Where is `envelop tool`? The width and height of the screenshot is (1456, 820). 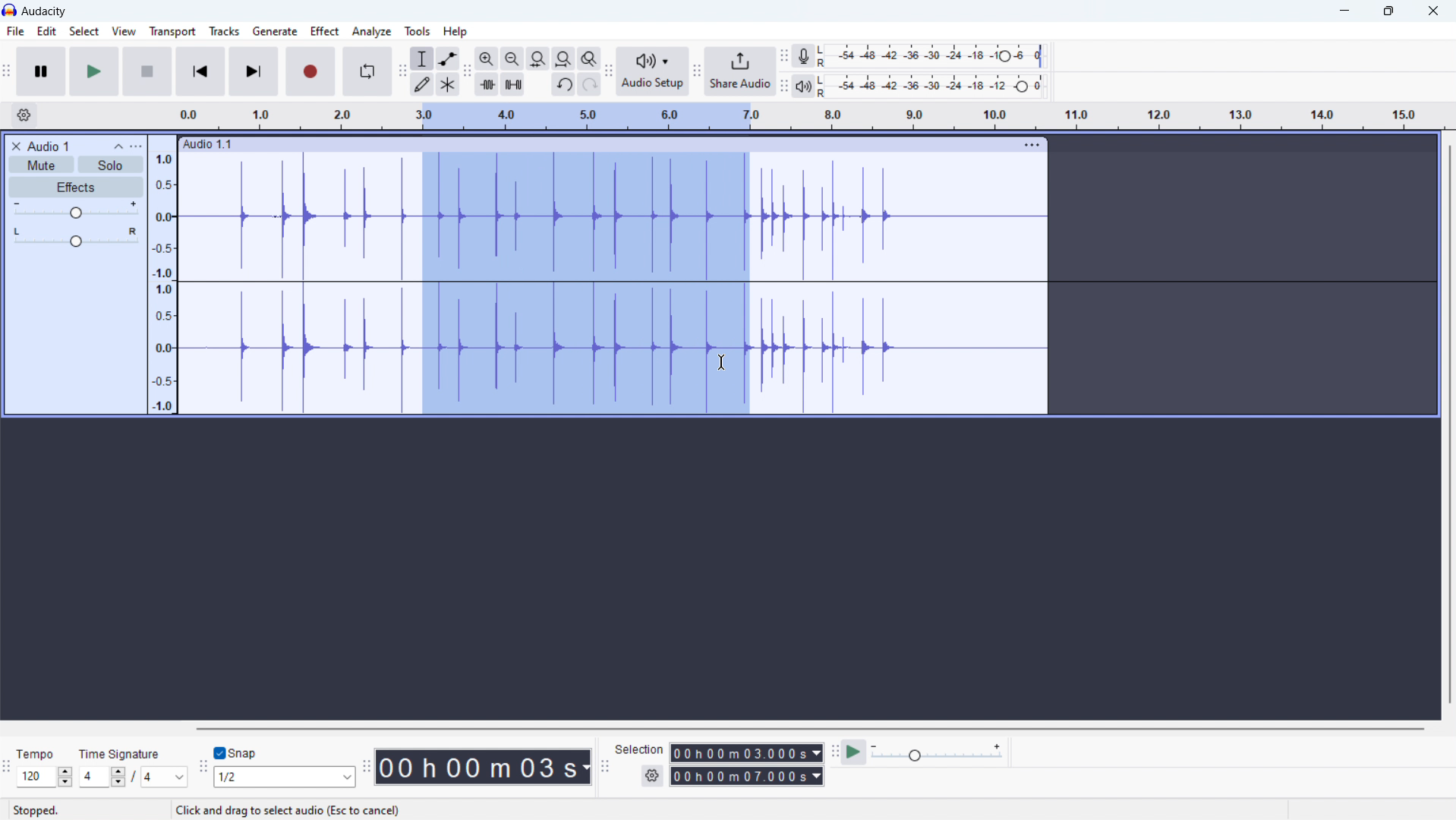 envelop tool is located at coordinates (449, 58).